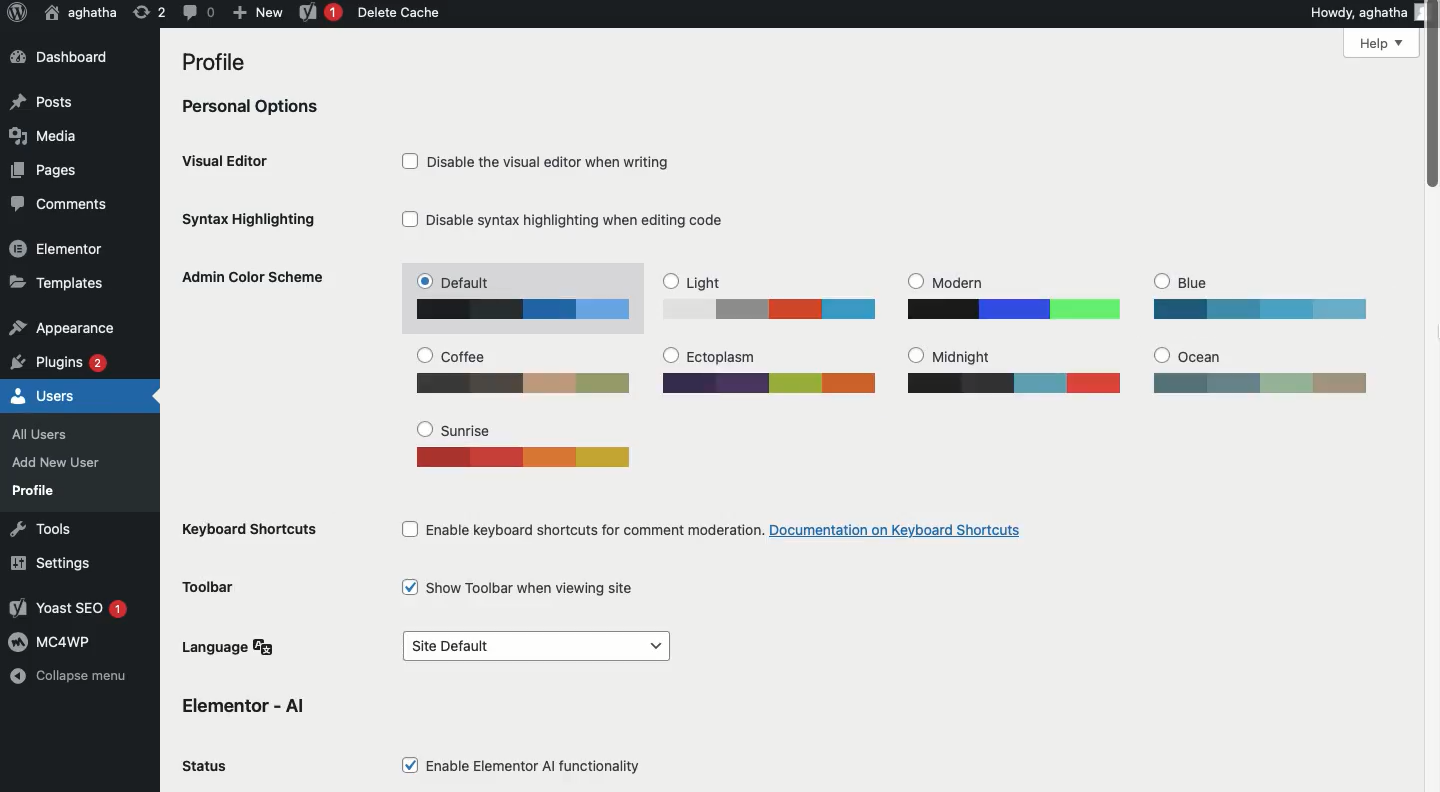 The image size is (1440, 792). Describe the element at coordinates (82, 12) in the screenshot. I see `User` at that location.